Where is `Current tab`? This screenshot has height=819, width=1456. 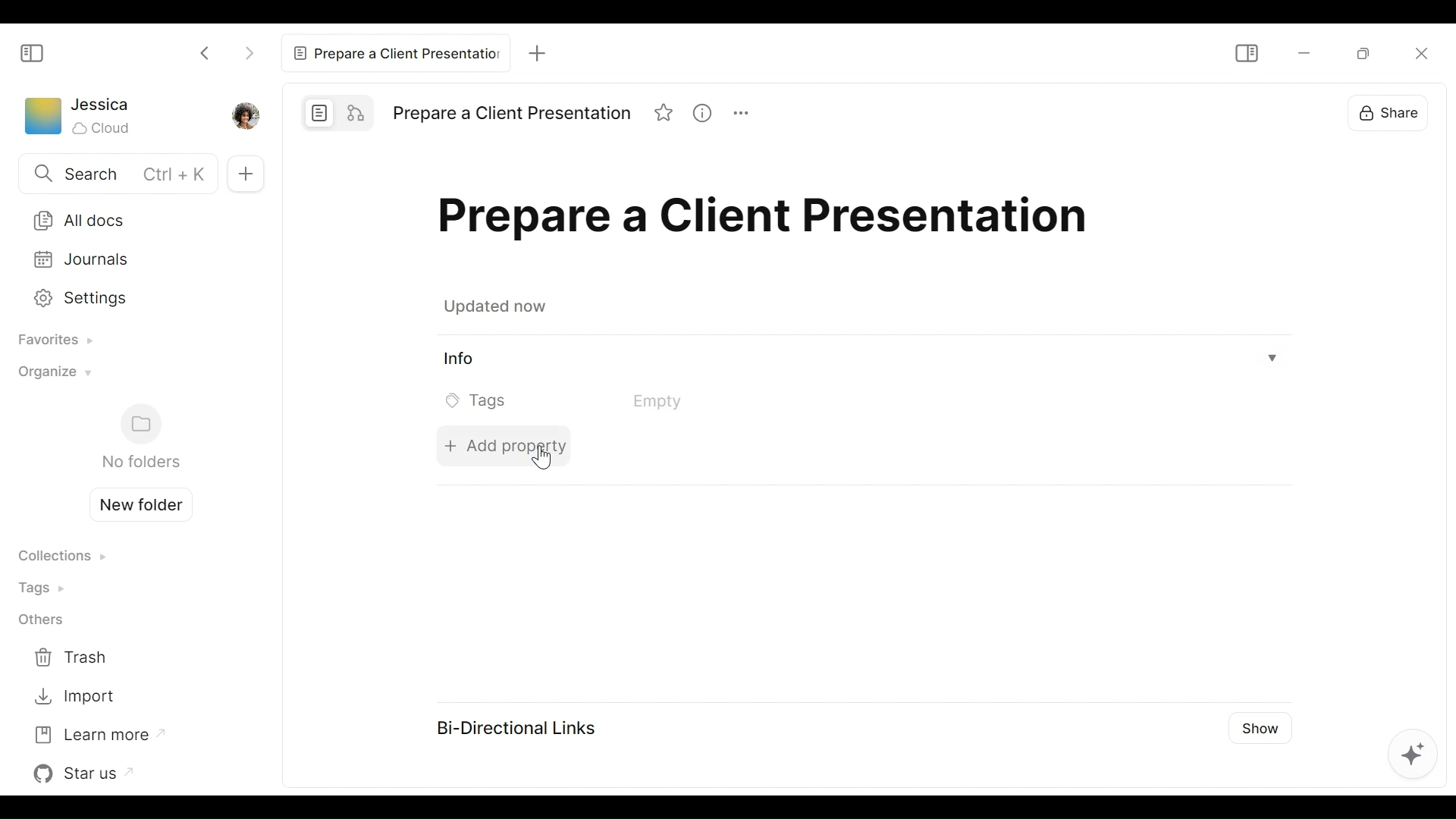 Current tab is located at coordinates (397, 49).